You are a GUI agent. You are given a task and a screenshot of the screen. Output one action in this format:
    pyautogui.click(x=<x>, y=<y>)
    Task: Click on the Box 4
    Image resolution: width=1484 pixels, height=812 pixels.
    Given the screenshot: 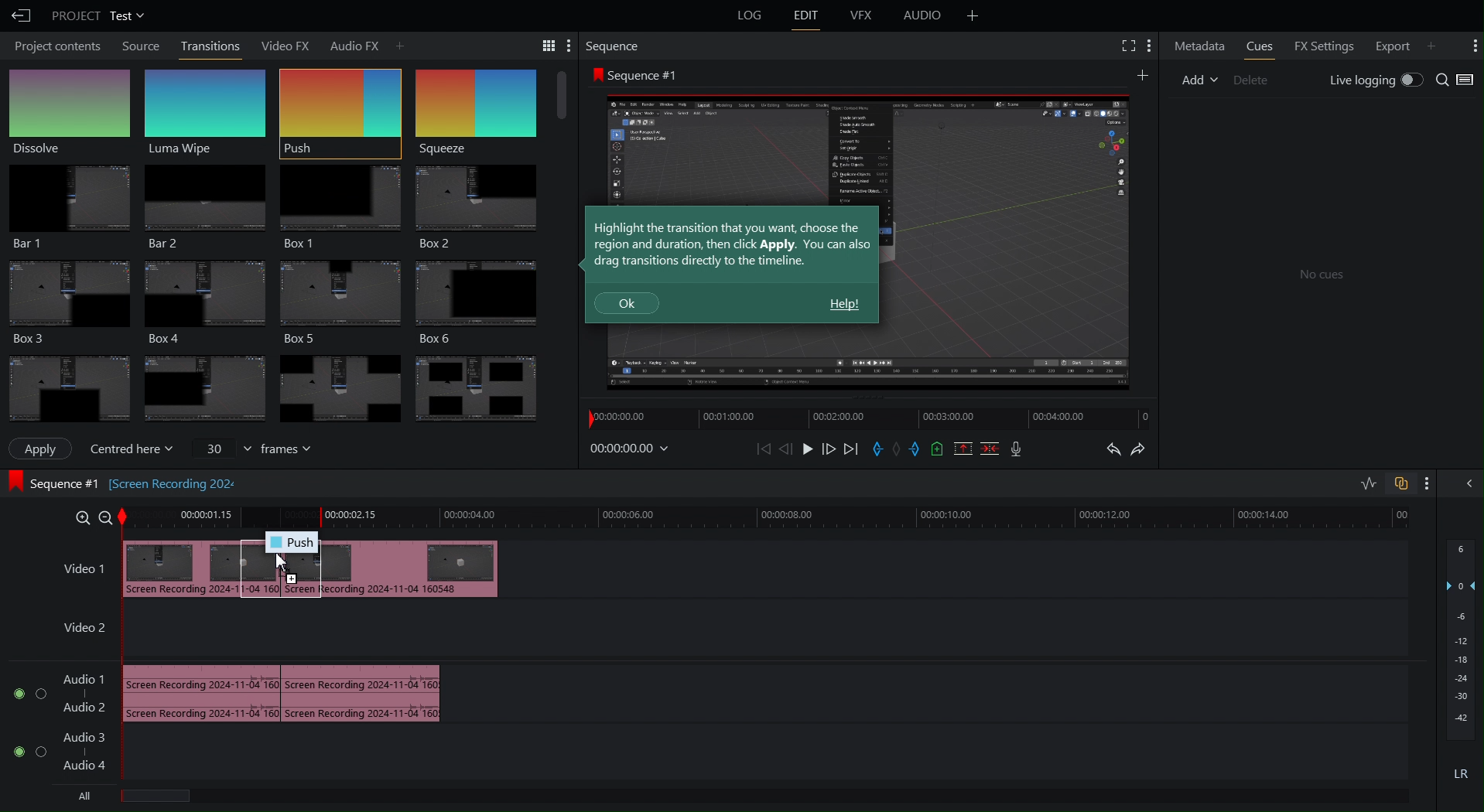 What is the action you would take?
    pyautogui.click(x=197, y=302)
    